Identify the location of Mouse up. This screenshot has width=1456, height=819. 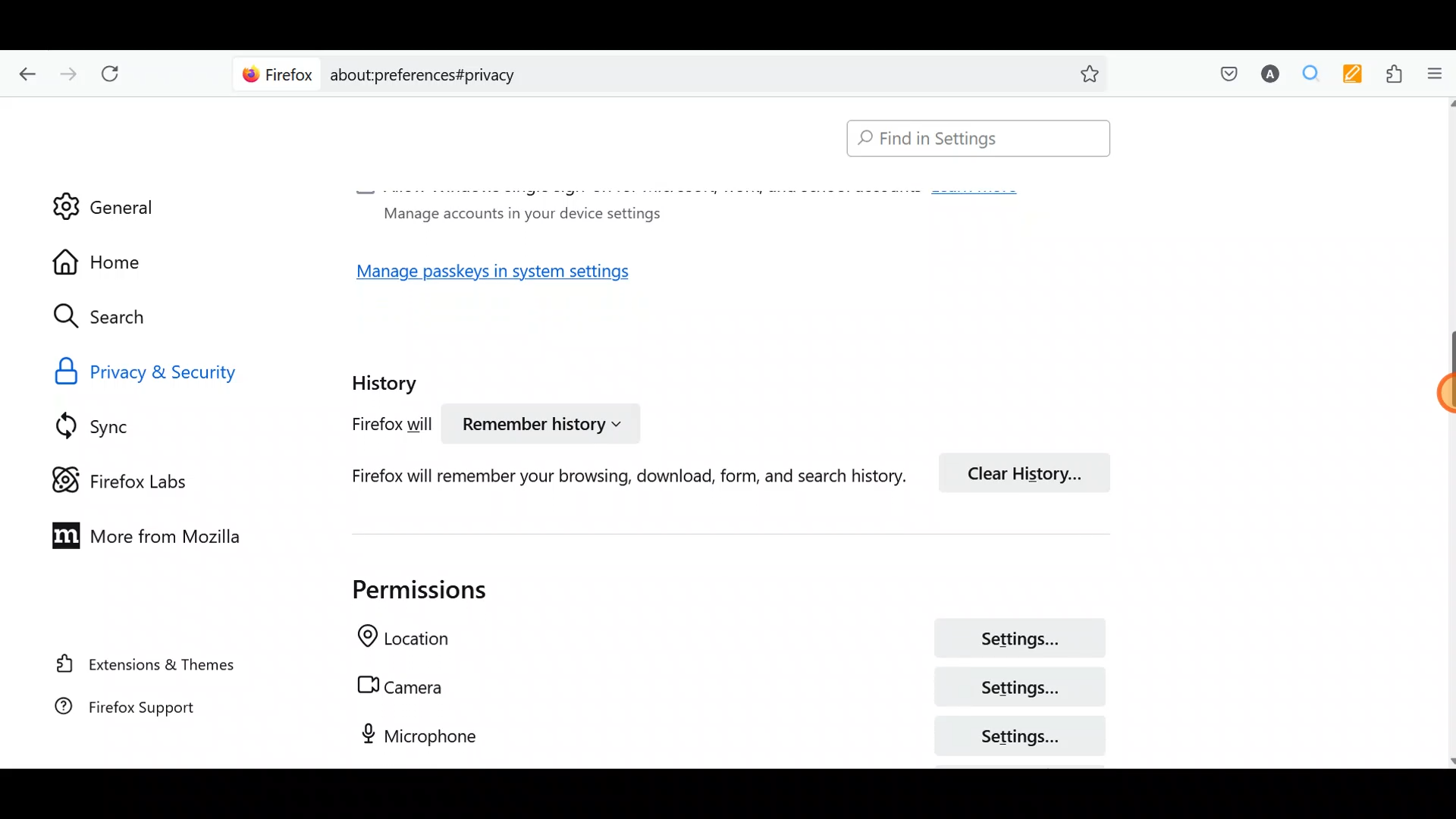
(1415, 397).